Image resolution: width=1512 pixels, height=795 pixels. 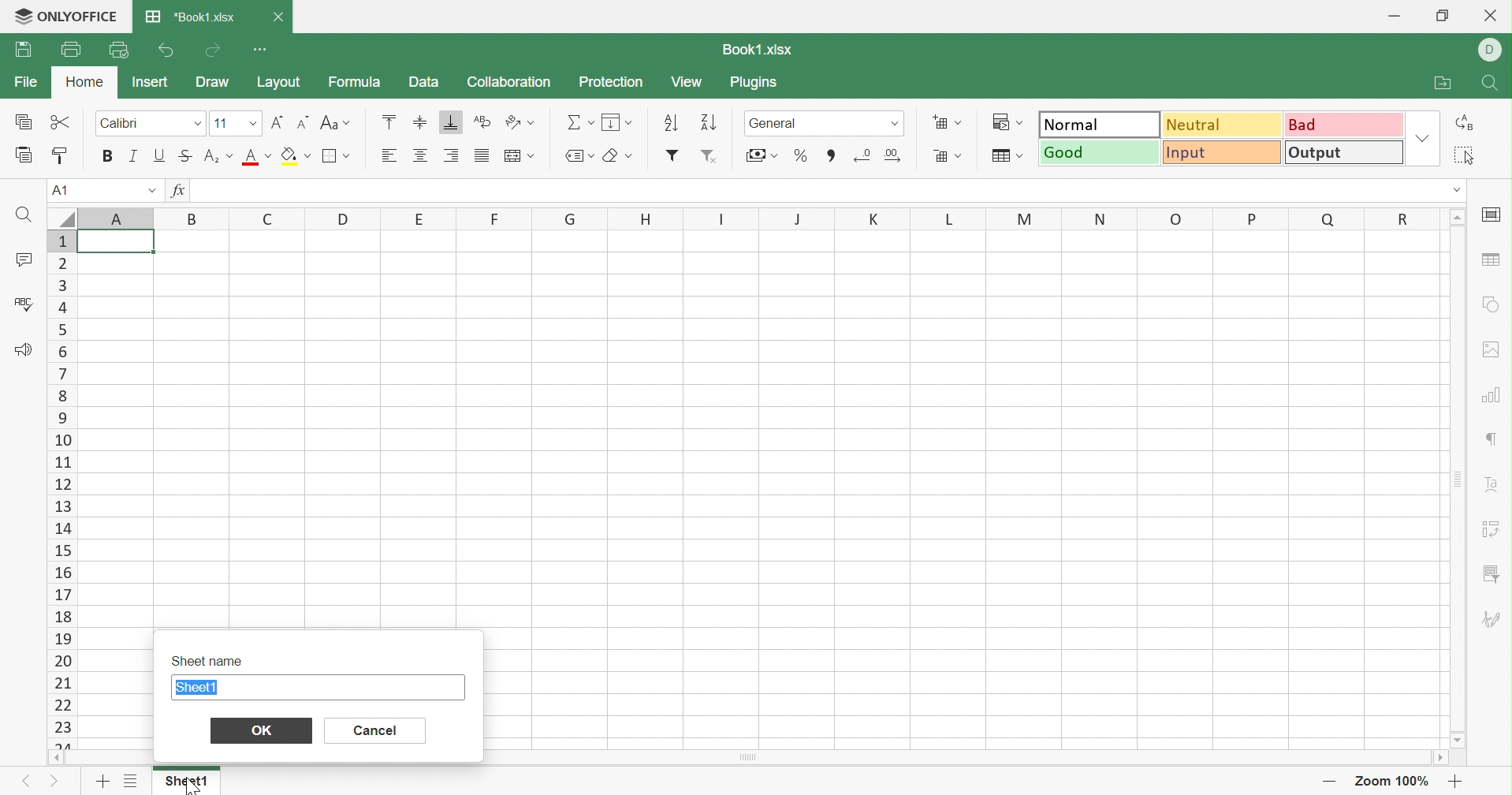 I want to click on Sheet name, so click(x=208, y=660).